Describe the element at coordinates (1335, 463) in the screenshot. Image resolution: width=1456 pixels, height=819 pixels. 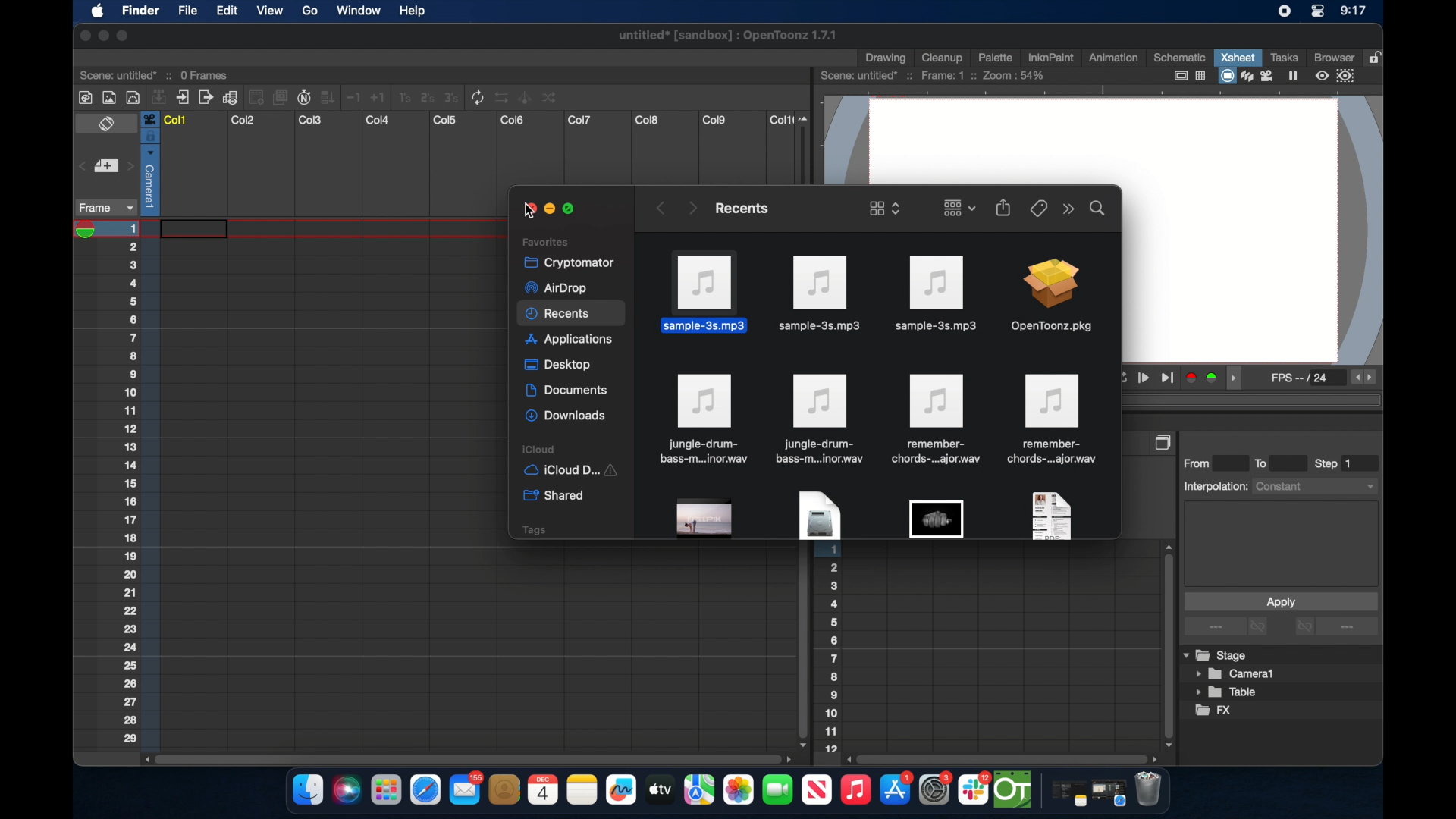
I see `step` at that location.